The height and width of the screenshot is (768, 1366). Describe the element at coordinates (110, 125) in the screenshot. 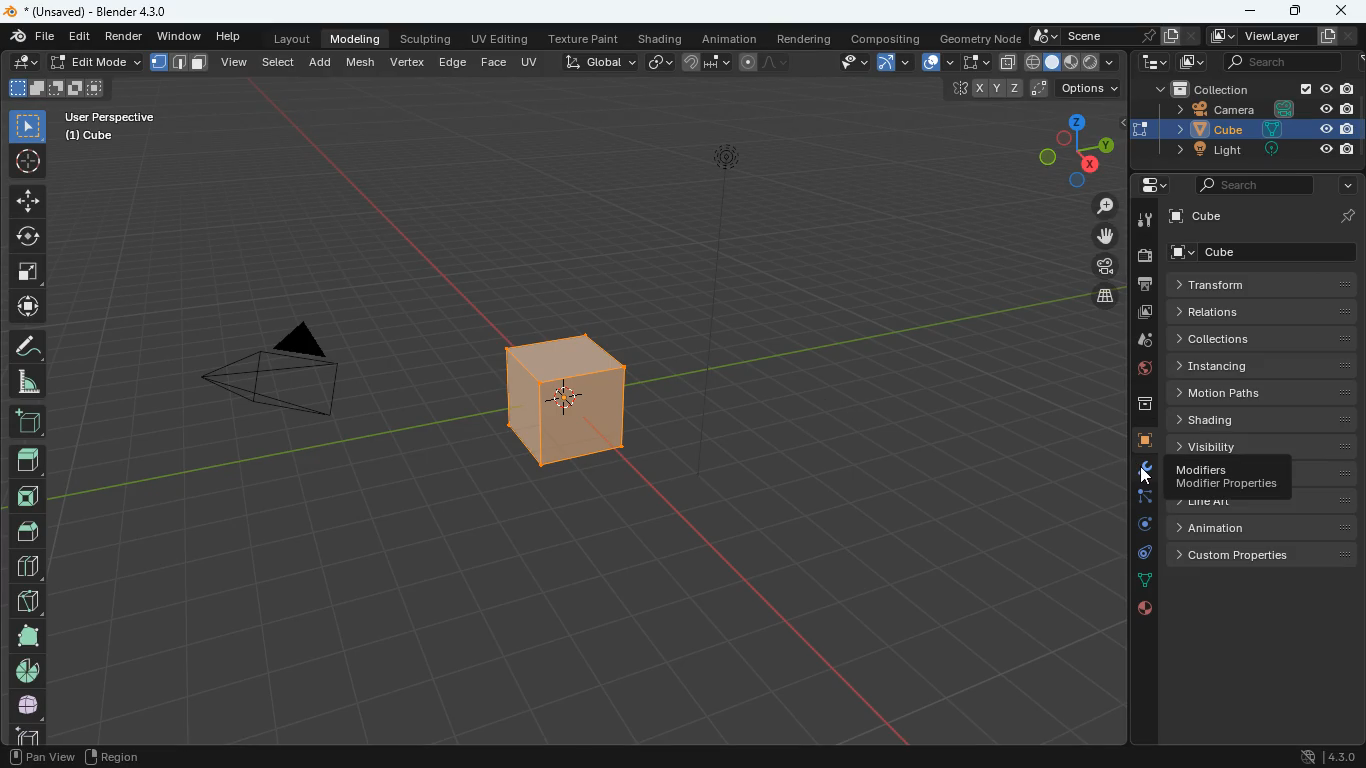

I see `User Perspective
fr a.` at that location.